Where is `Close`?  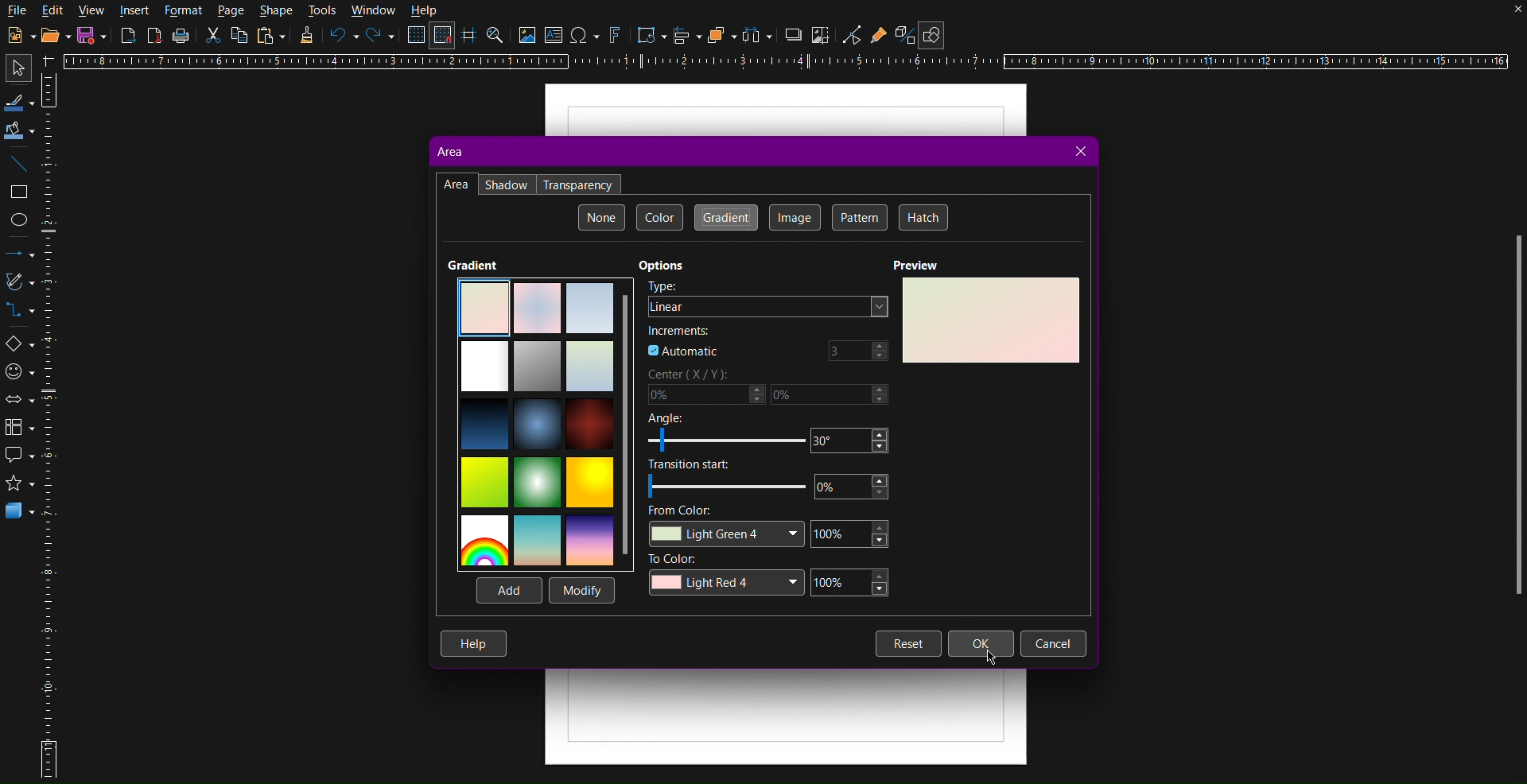
Close is located at coordinates (1078, 153).